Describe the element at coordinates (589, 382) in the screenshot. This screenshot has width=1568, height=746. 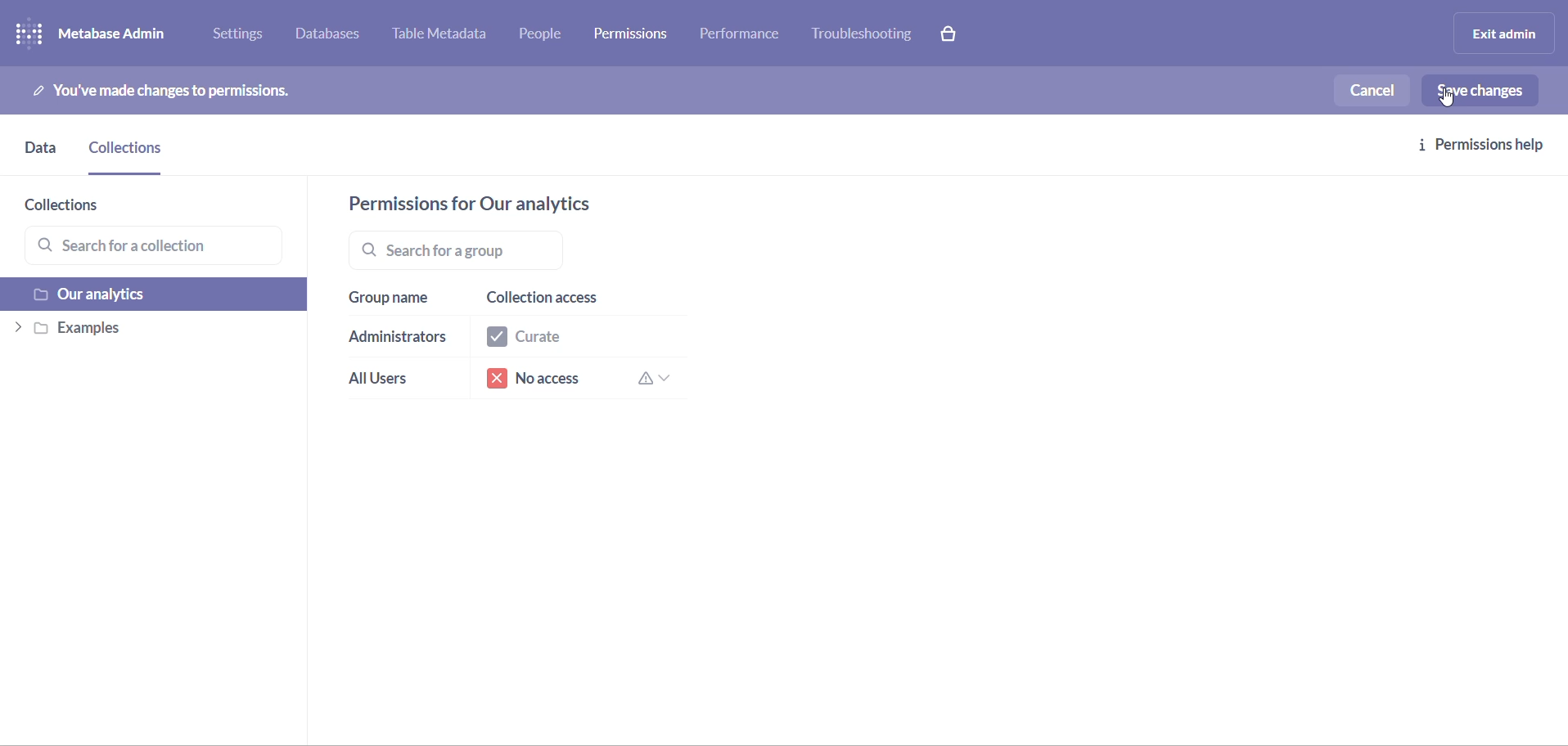
I see `no access` at that location.